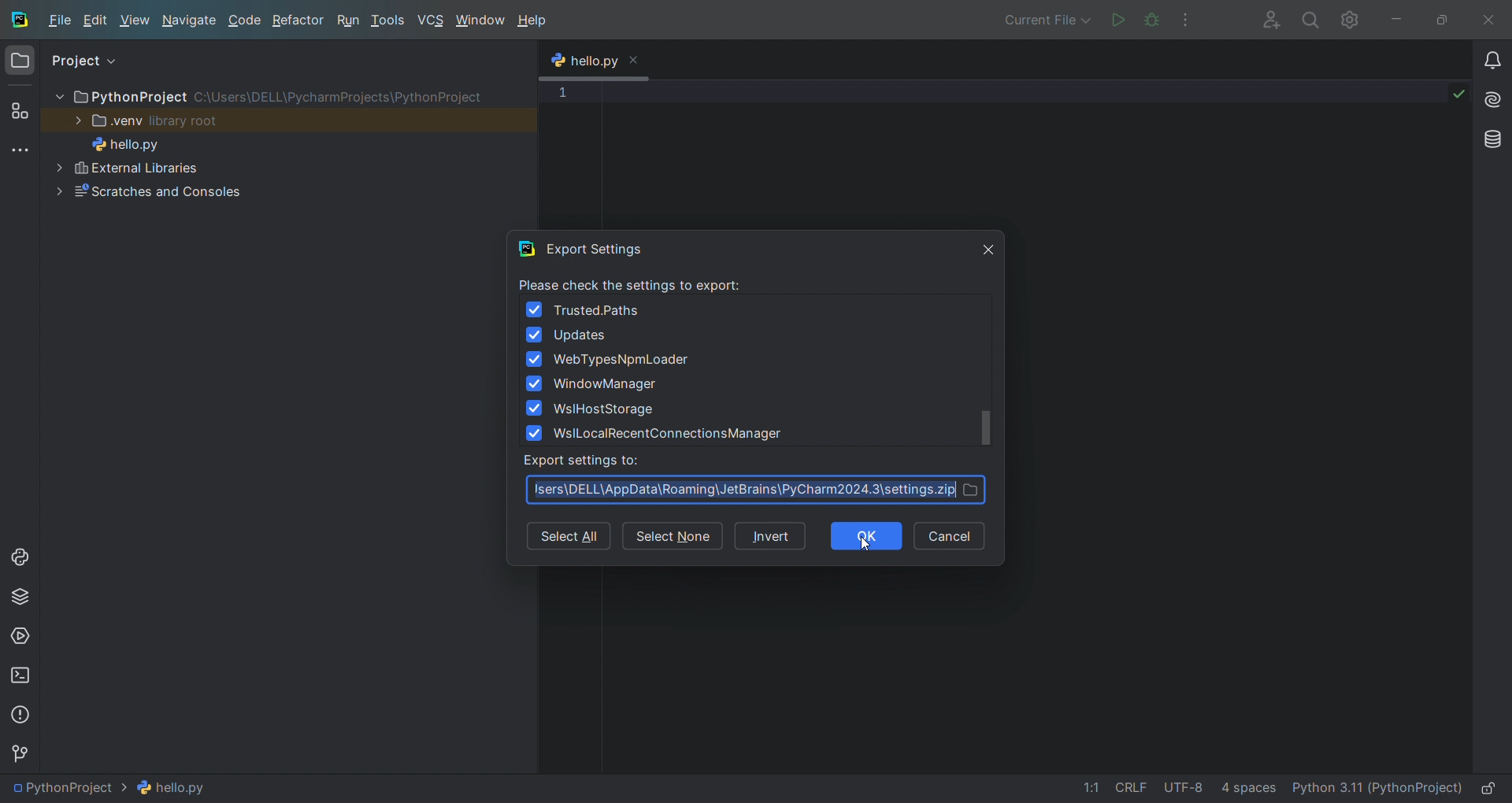 Image resolution: width=1512 pixels, height=803 pixels. I want to click on window, so click(480, 21).